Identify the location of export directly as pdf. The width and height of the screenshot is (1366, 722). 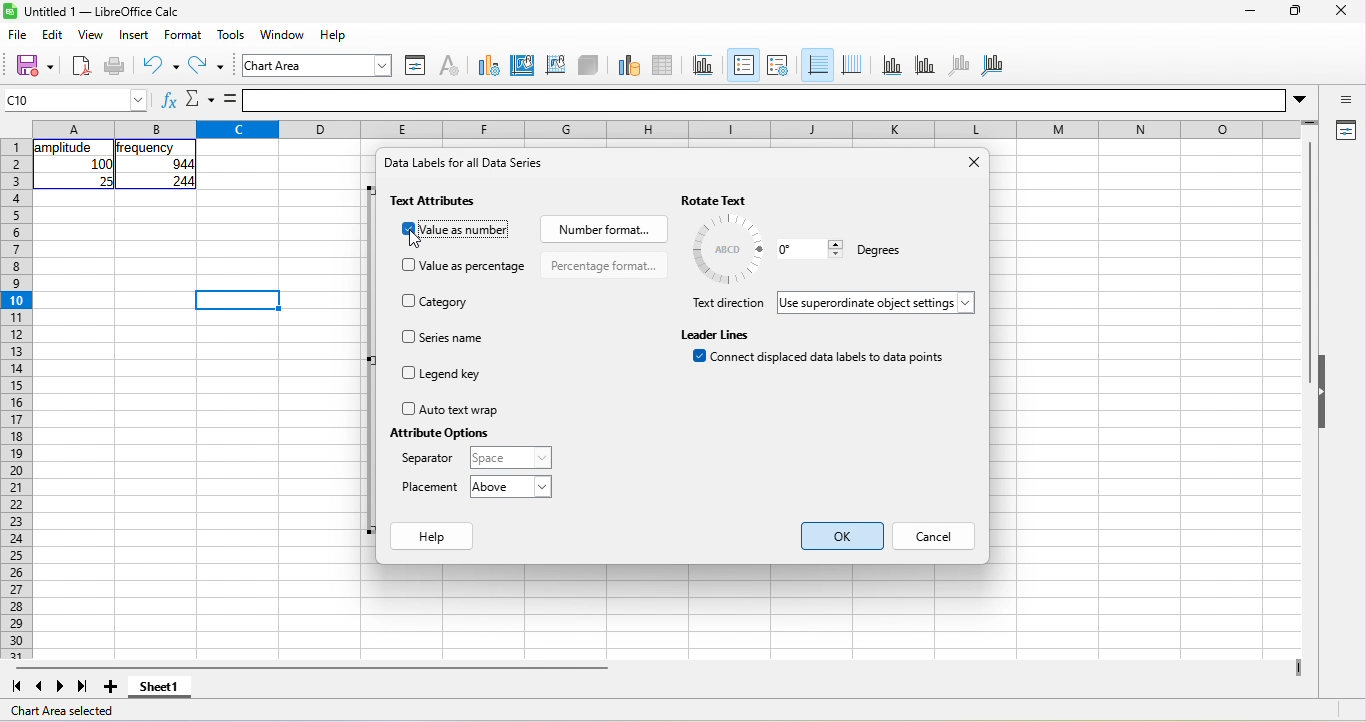
(81, 67).